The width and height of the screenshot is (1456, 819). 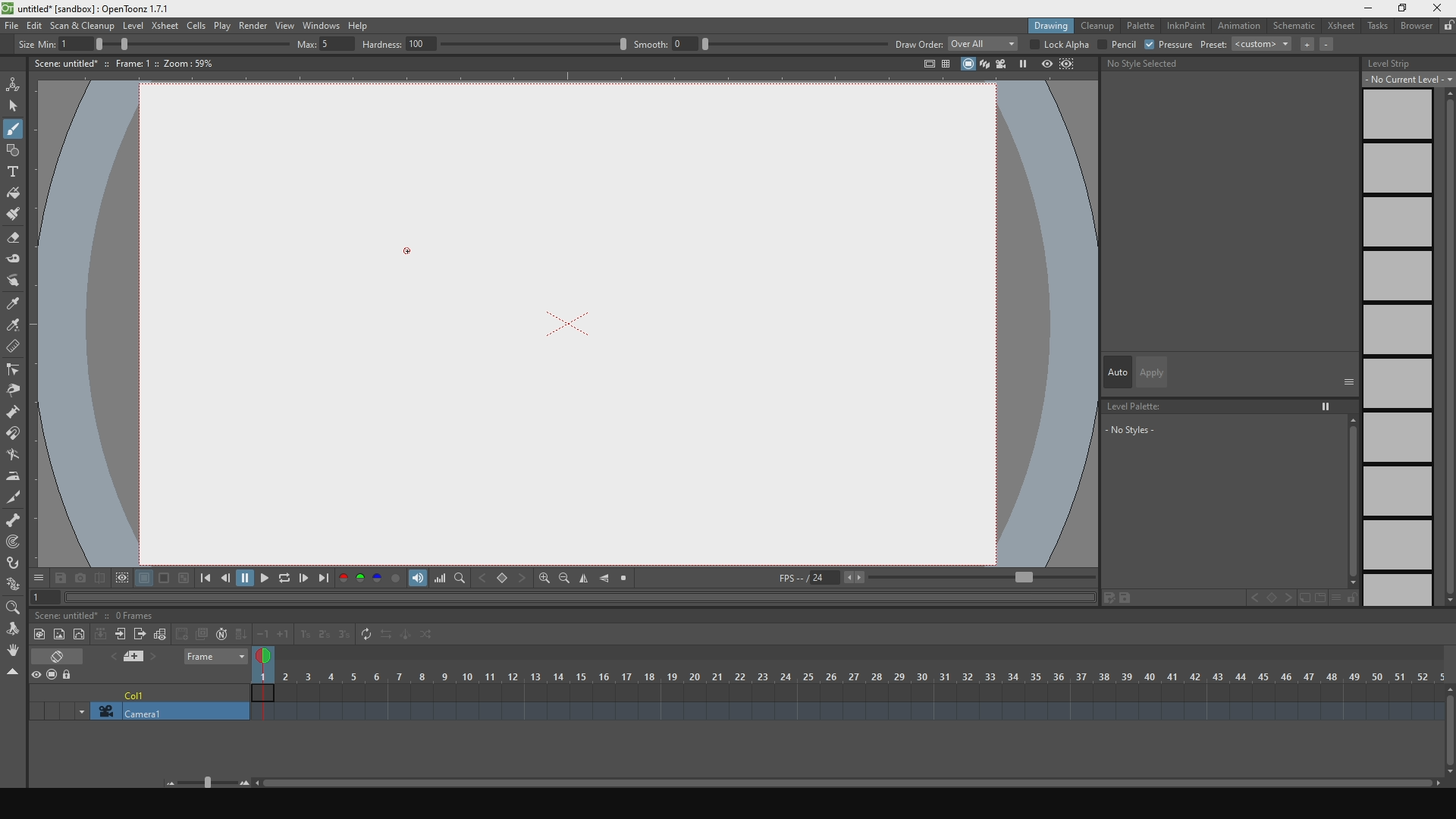 What do you see at coordinates (133, 25) in the screenshot?
I see `level` at bounding box center [133, 25].